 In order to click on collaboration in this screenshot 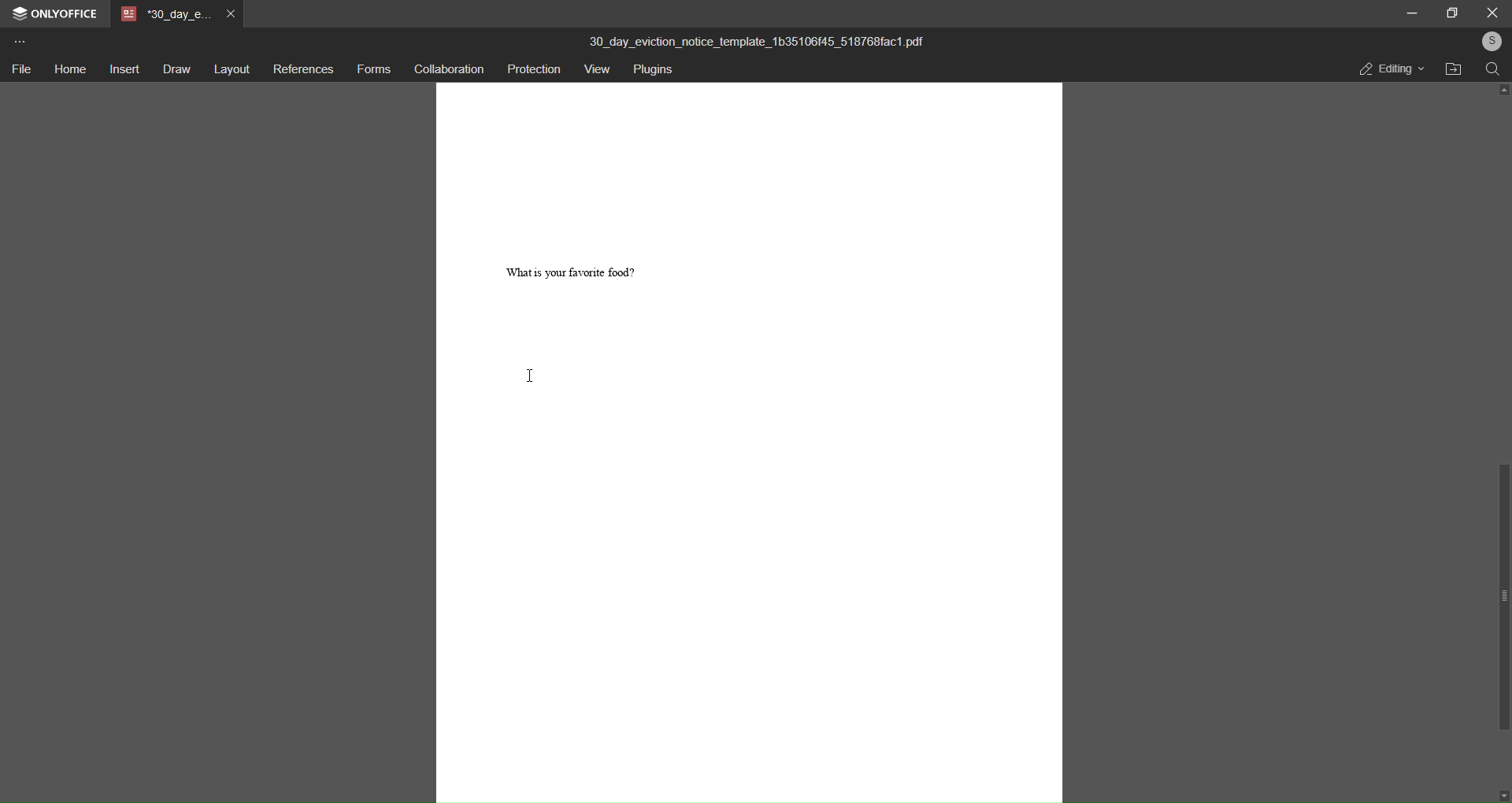, I will do `click(445, 71)`.